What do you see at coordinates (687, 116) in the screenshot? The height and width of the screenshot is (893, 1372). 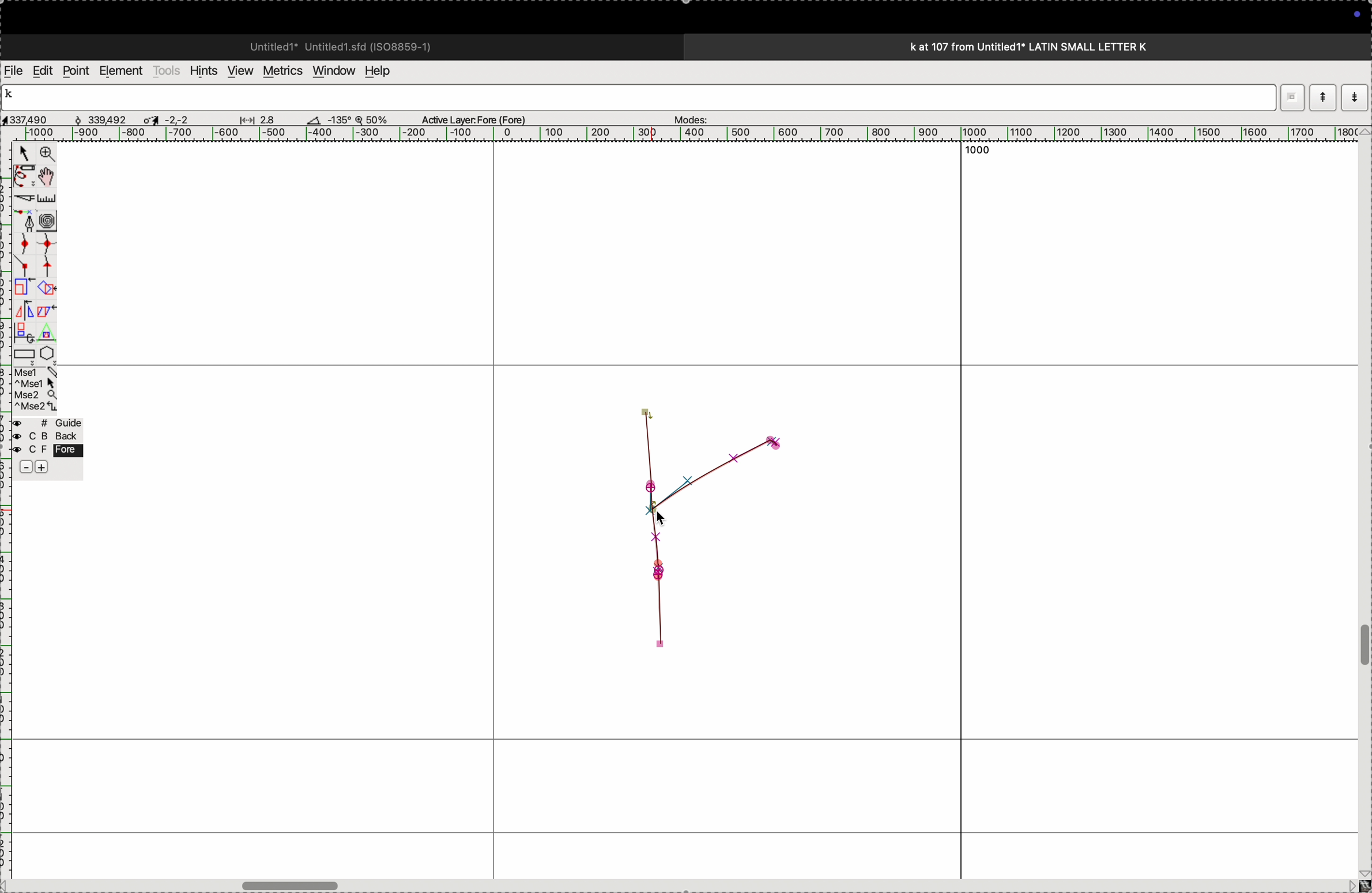 I see `modes` at bounding box center [687, 116].